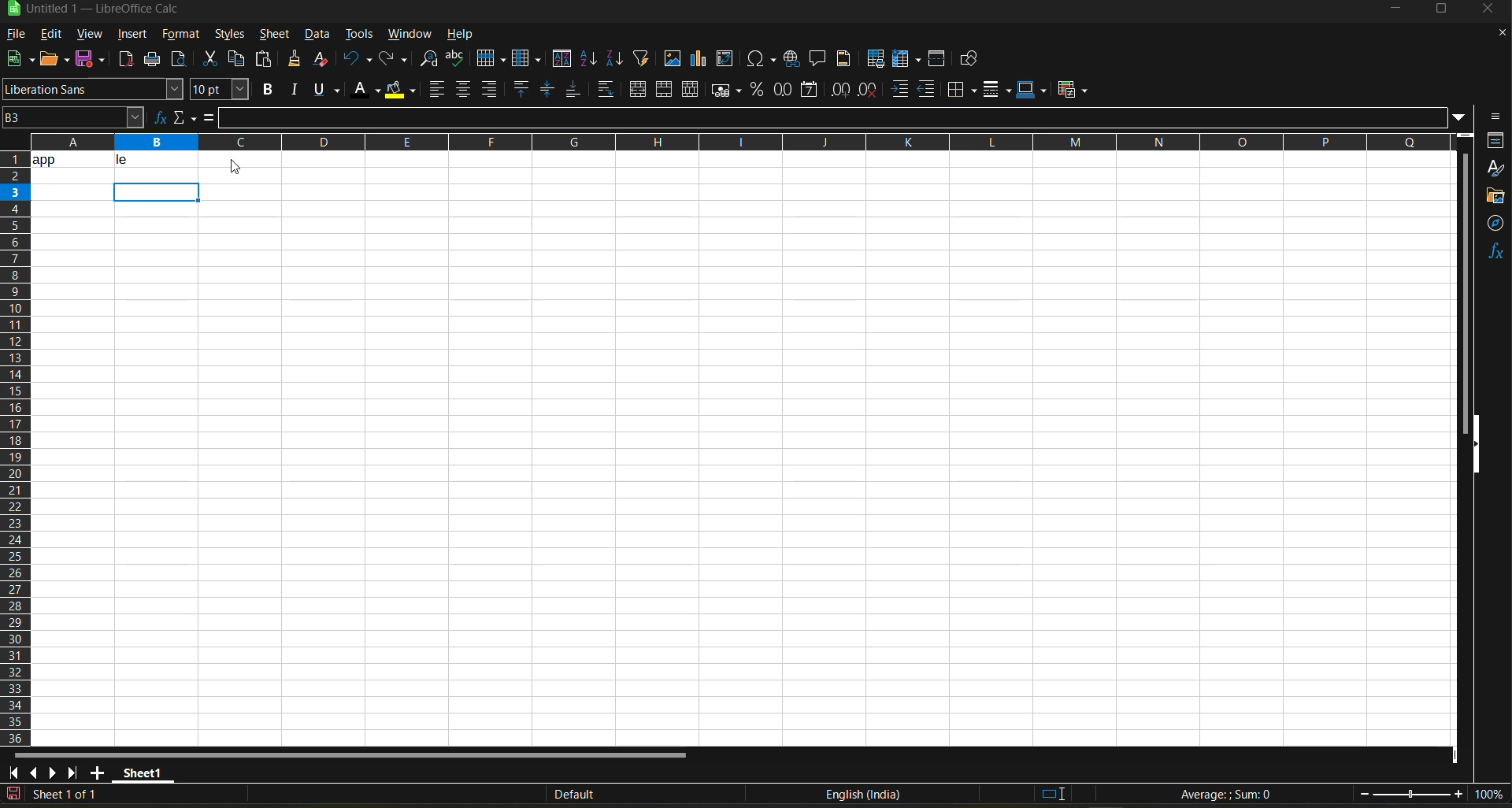 This screenshot has width=1512, height=808. I want to click on borders, so click(962, 90).